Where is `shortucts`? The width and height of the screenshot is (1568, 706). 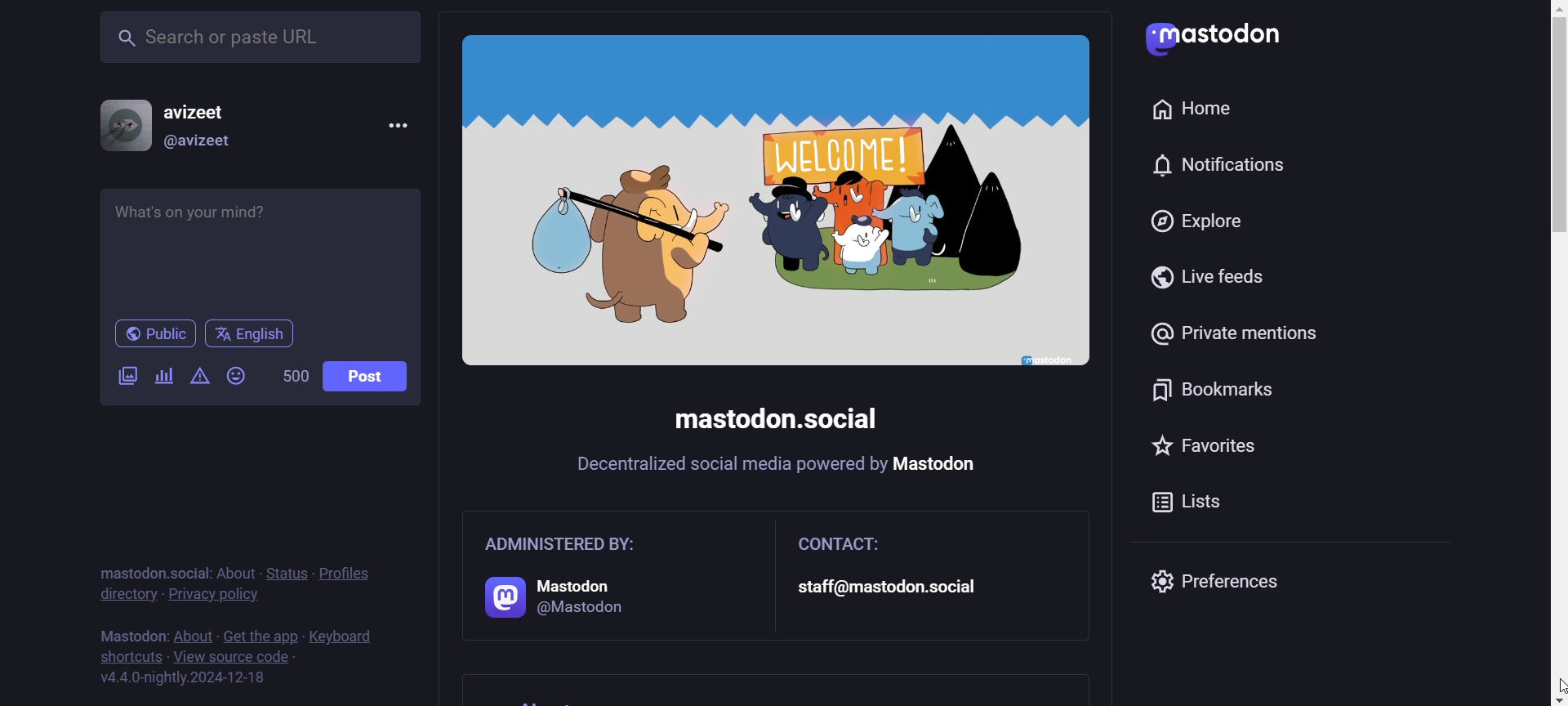 shortucts is located at coordinates (130, 656).